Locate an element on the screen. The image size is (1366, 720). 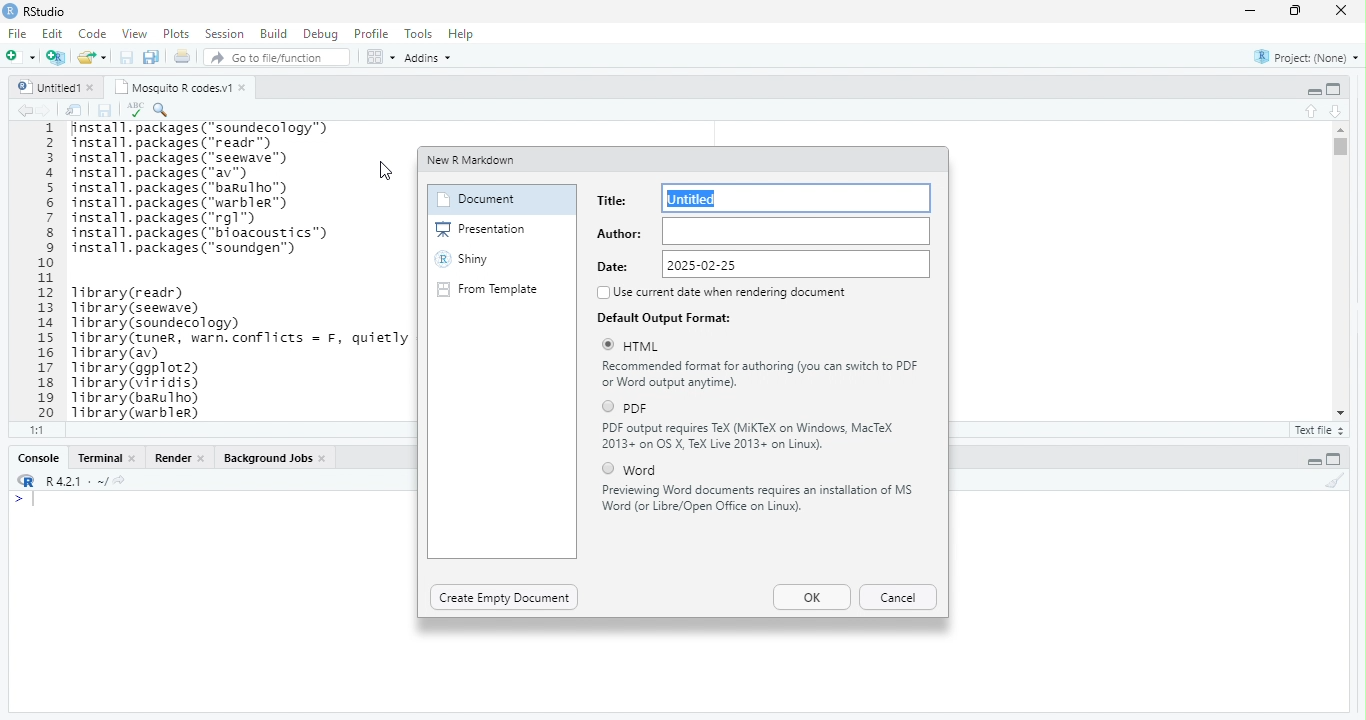
Collapse is located at coordinates (1314, 462).